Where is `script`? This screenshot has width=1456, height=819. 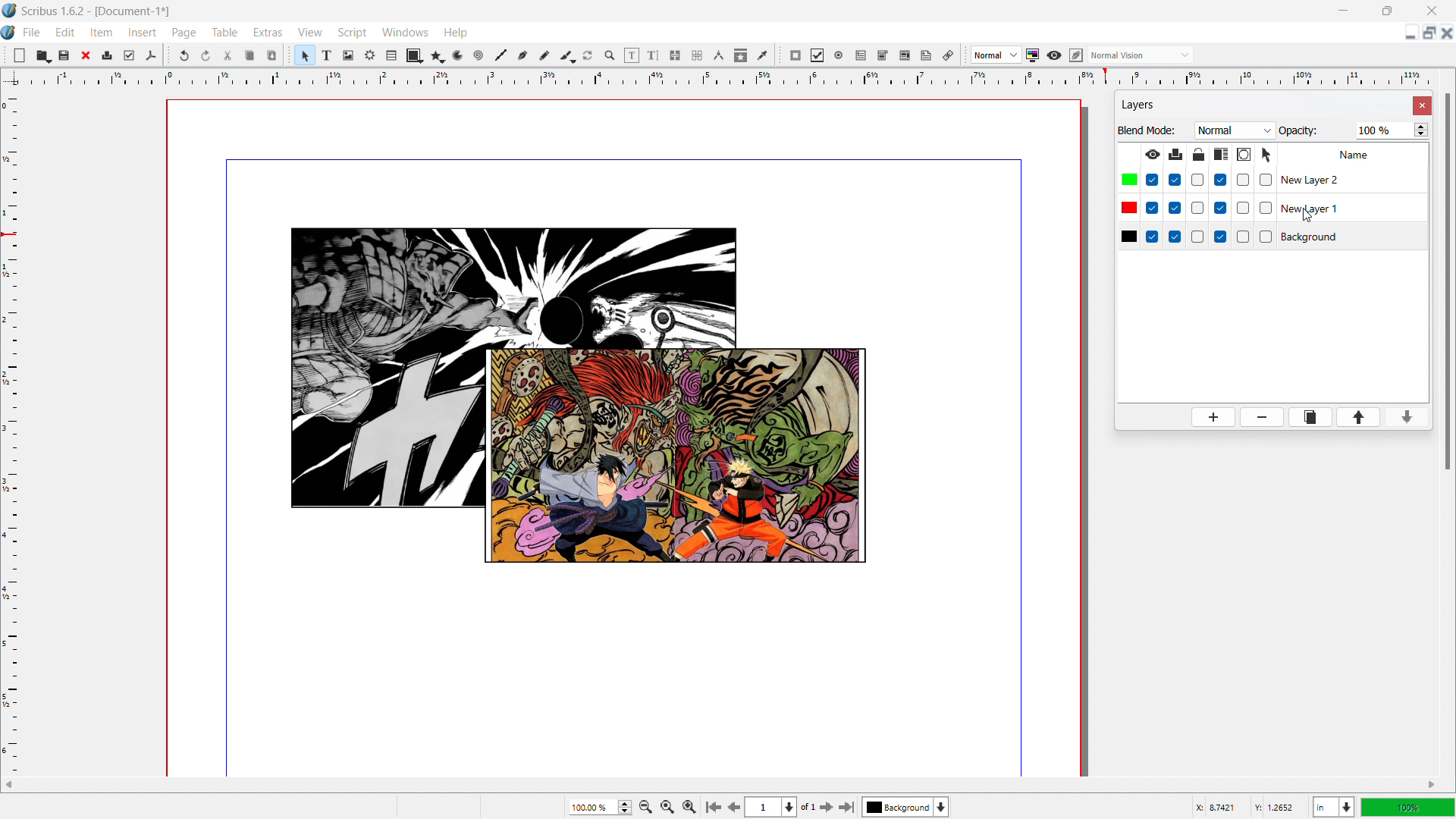 script is located at coordinates (352, 33).